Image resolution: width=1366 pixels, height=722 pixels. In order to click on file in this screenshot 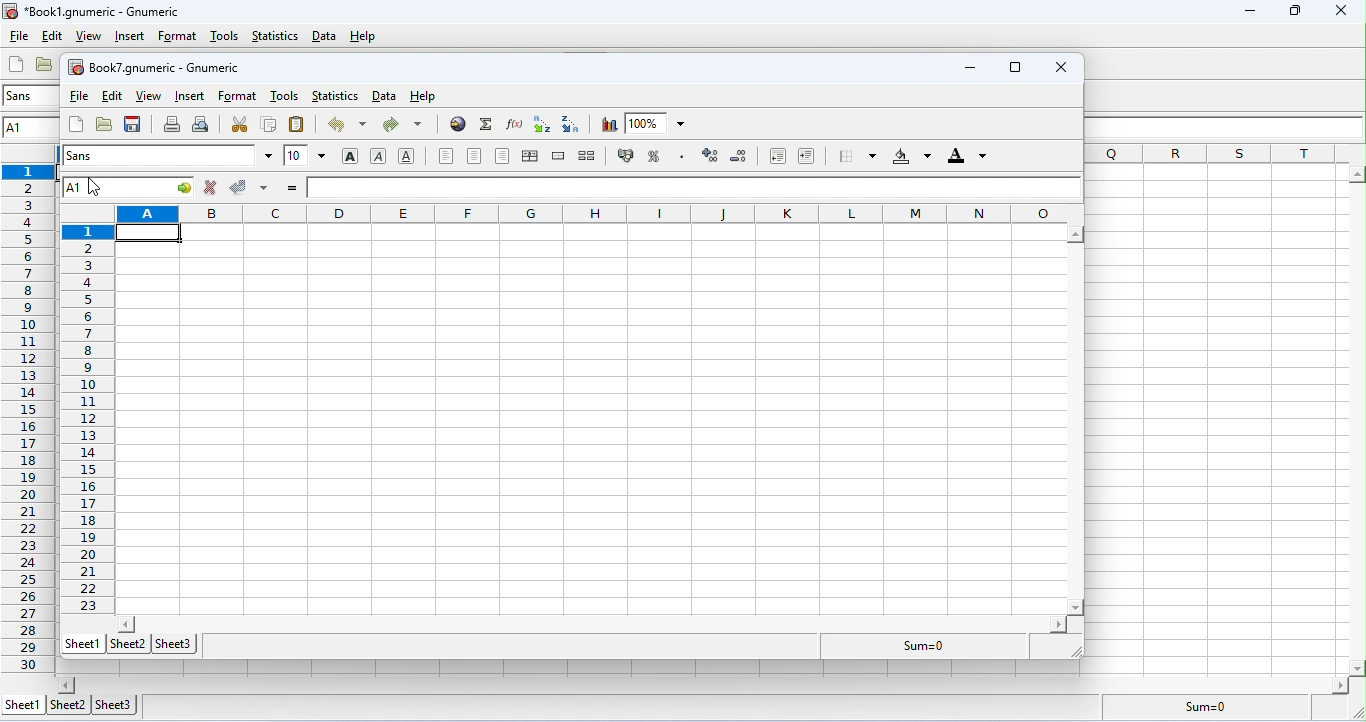, I will do `click(19, 35)`.